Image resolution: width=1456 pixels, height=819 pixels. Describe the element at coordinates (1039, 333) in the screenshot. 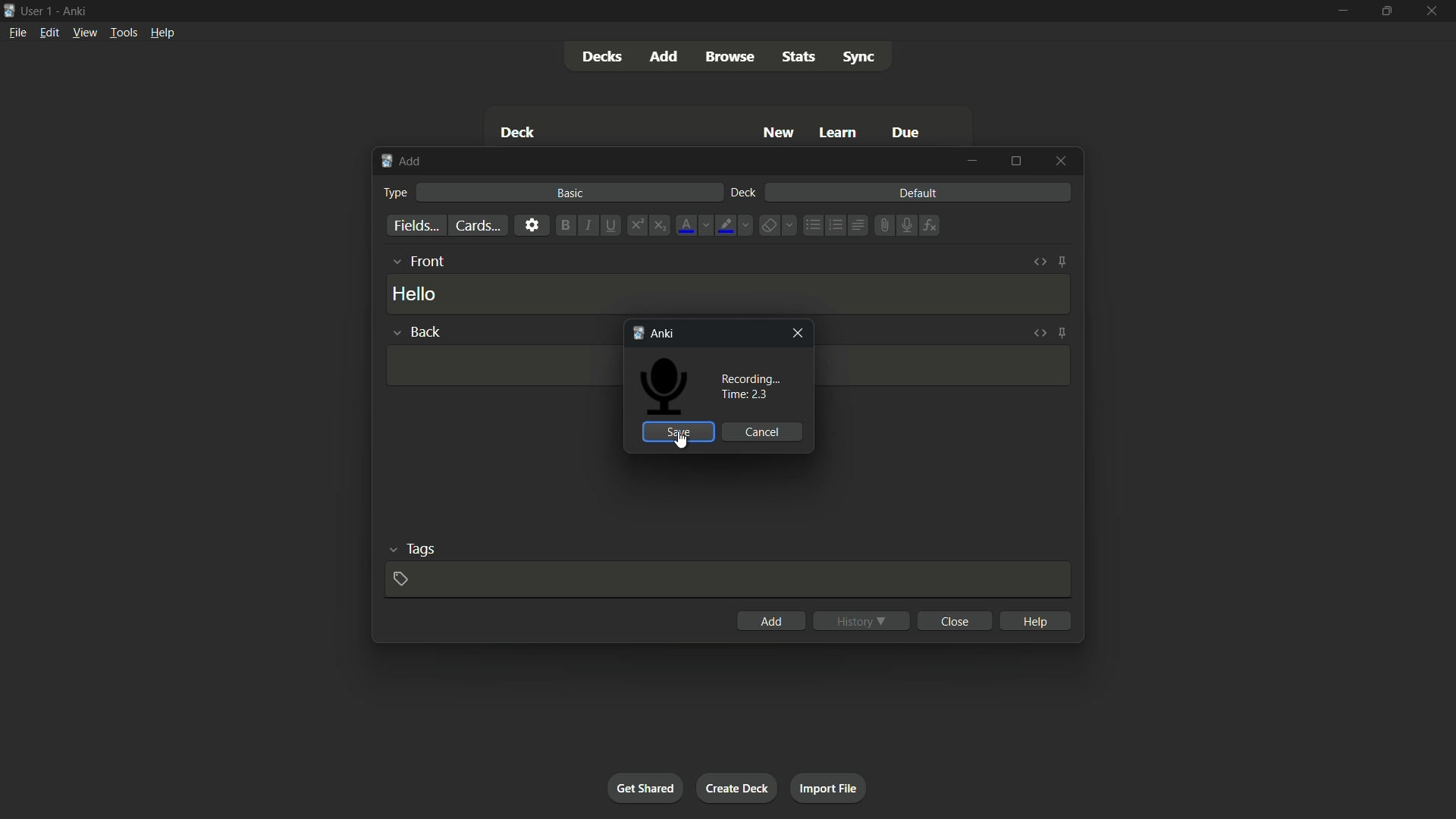

I see `toggle html editor` at that location.